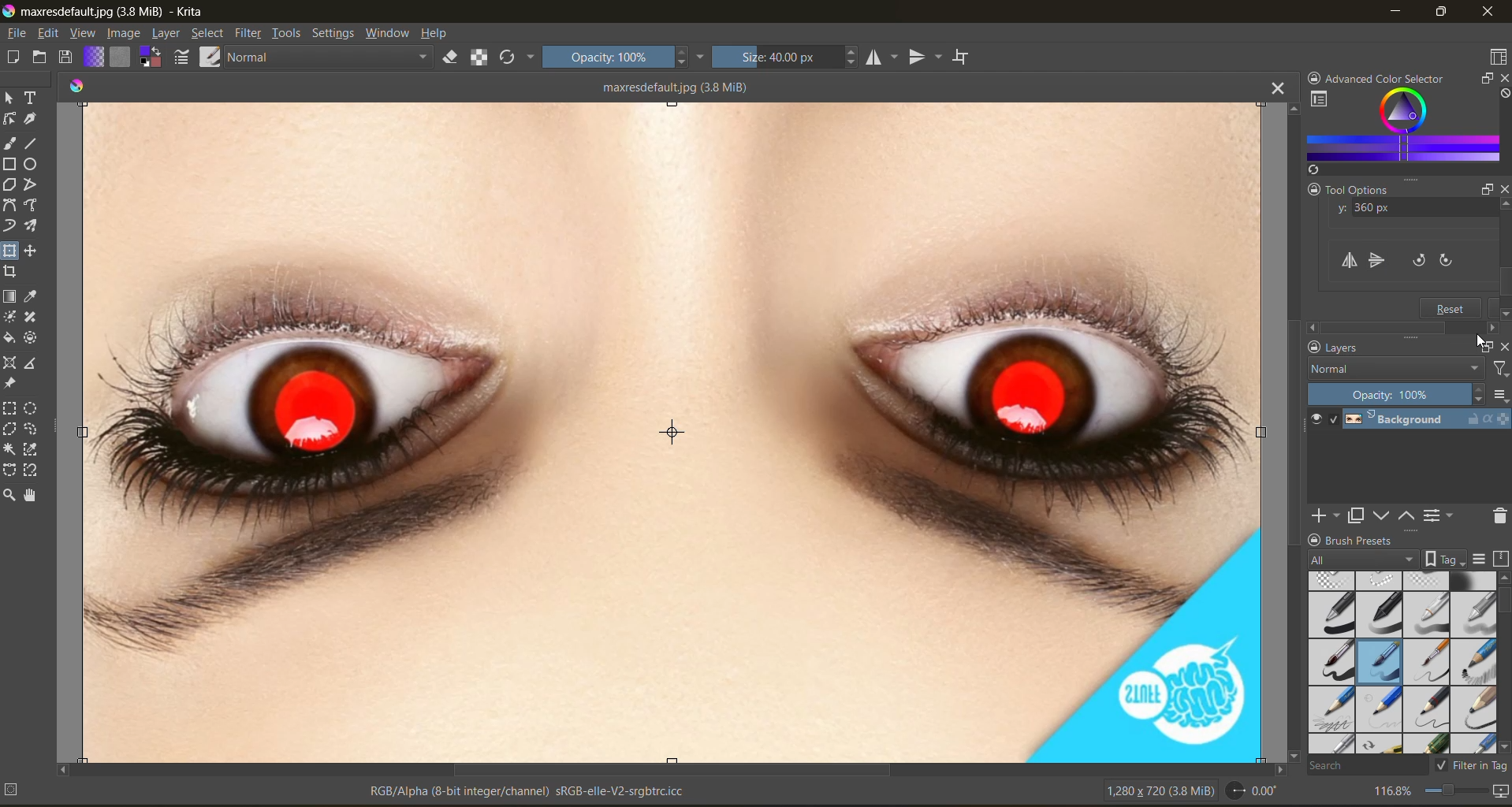 This screenshot has height=807, width=1512. Describe the element at coordinates (1360, 561) in the screenshot. I see `tag` at that location.